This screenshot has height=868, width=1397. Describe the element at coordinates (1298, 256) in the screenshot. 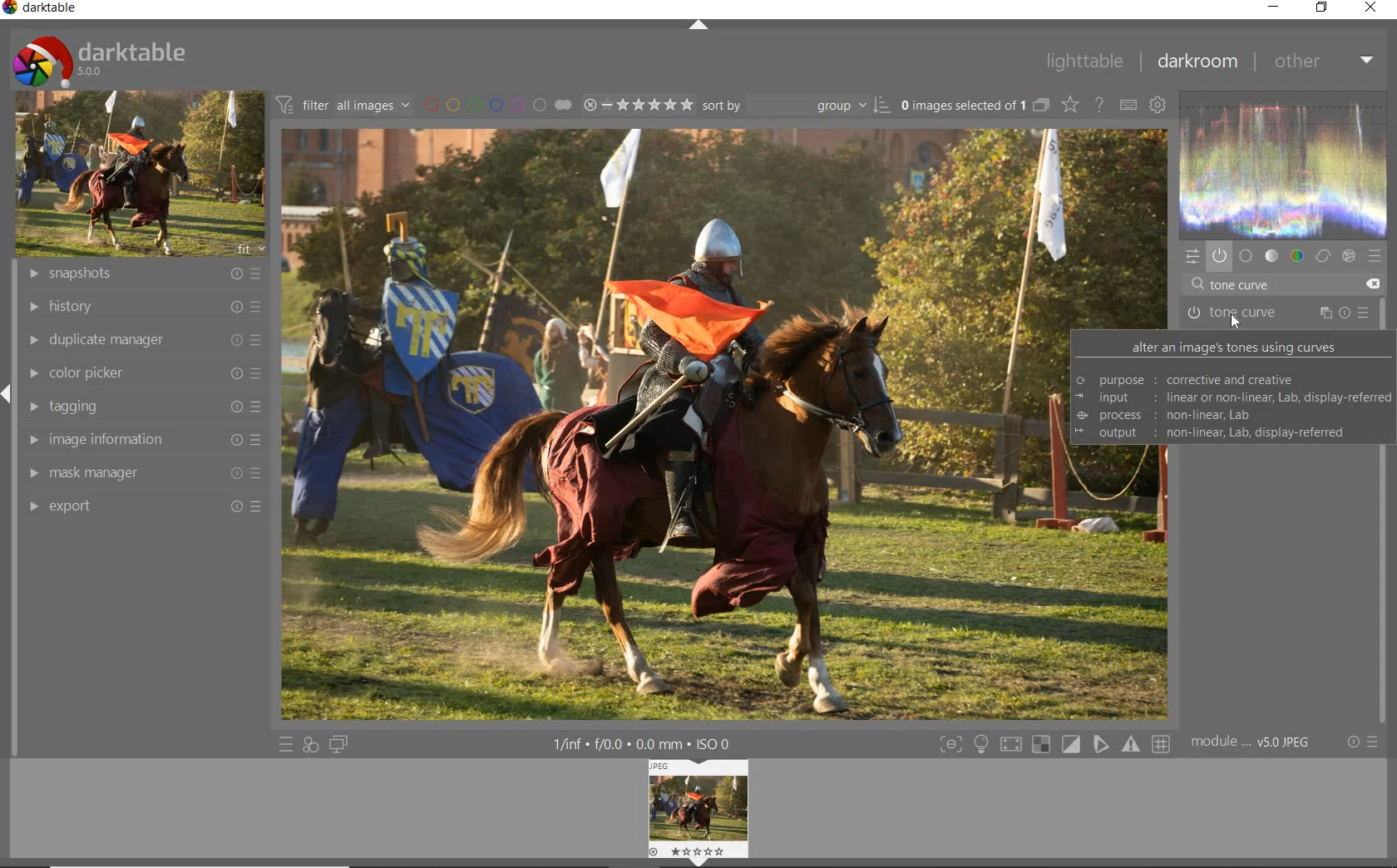

I see `color` at that location.